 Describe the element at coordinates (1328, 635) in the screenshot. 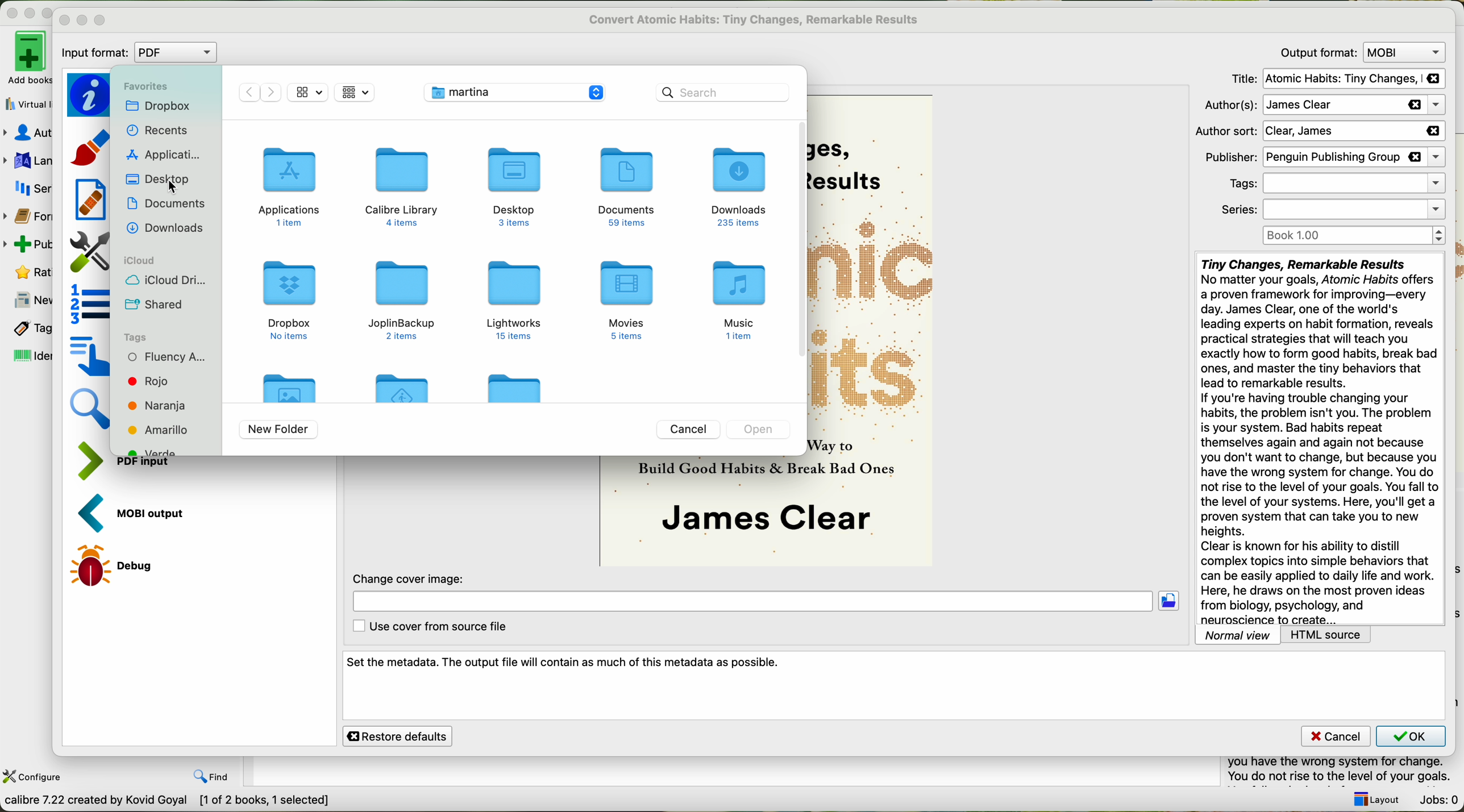

I see `HTML source` at that location.